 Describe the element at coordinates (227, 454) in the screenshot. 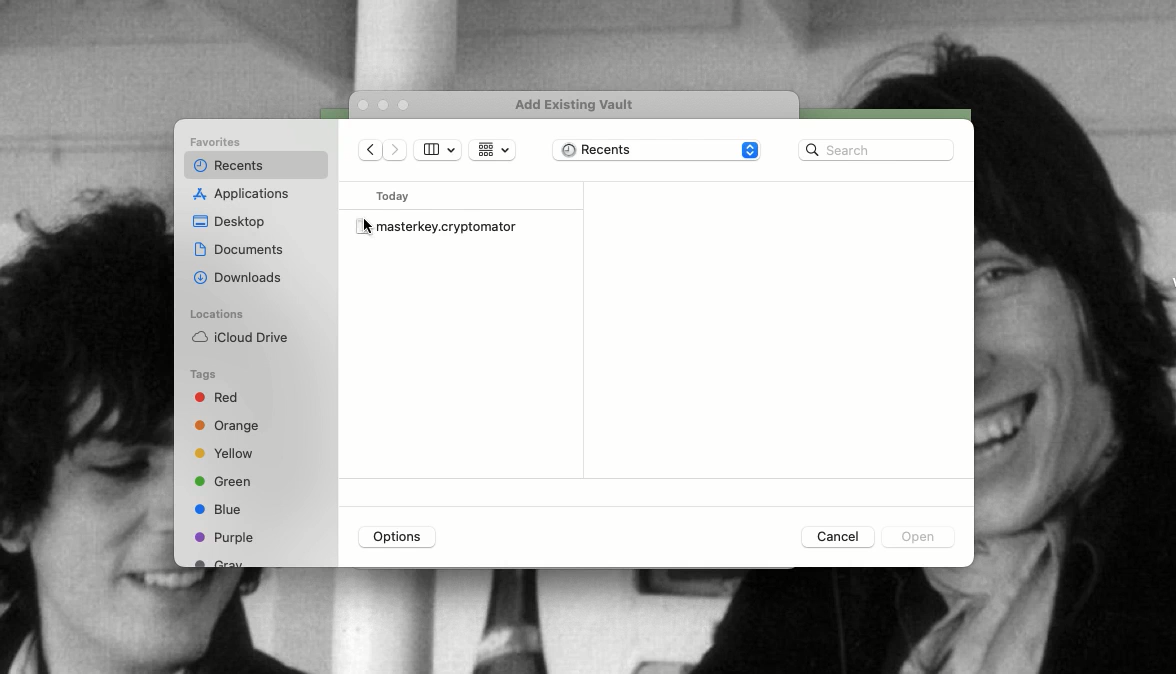

I see `Yellow` at that location.